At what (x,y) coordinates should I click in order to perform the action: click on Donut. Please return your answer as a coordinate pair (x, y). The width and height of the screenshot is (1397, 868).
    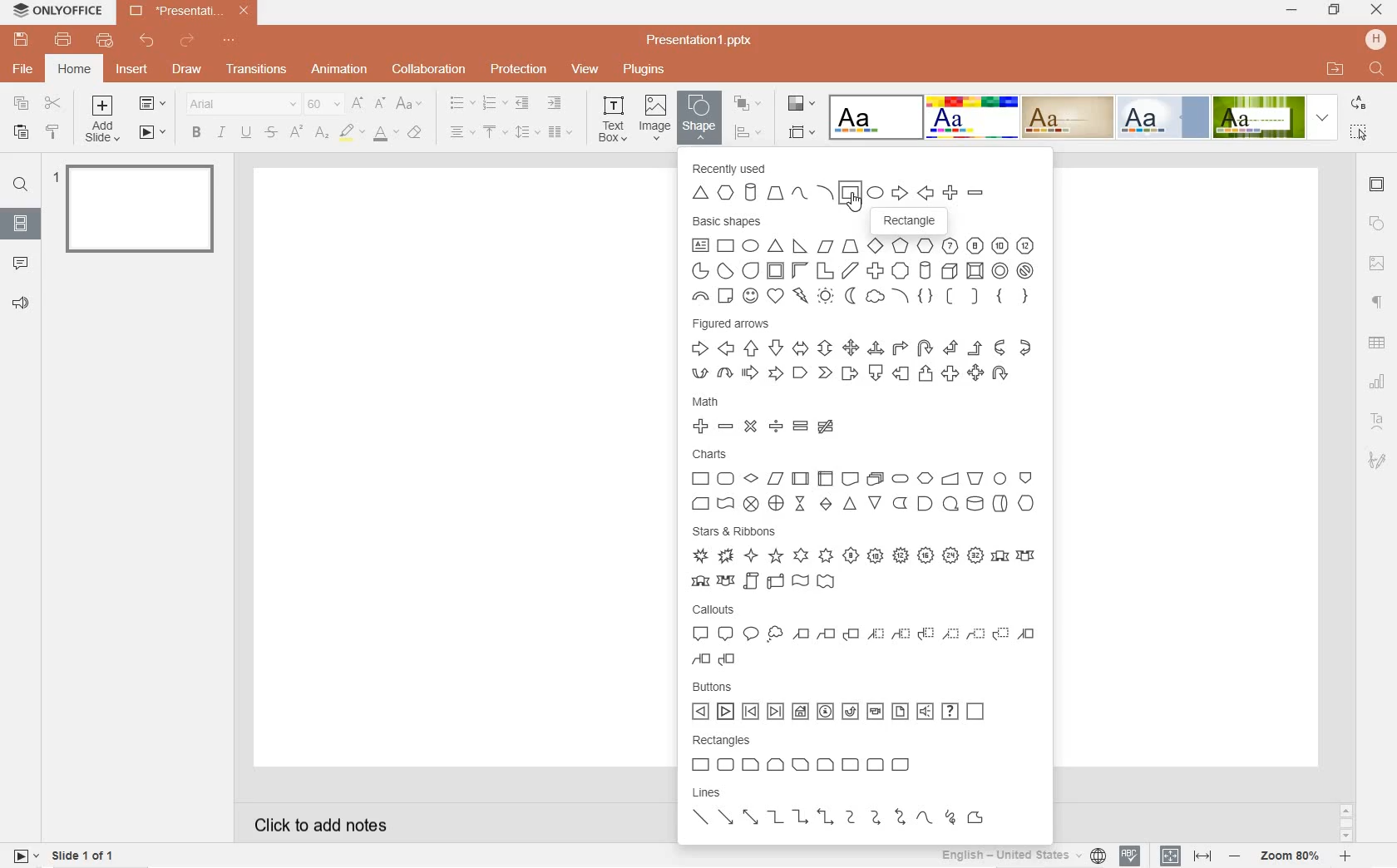
    Looking at the image, I should click on (1000, 271).